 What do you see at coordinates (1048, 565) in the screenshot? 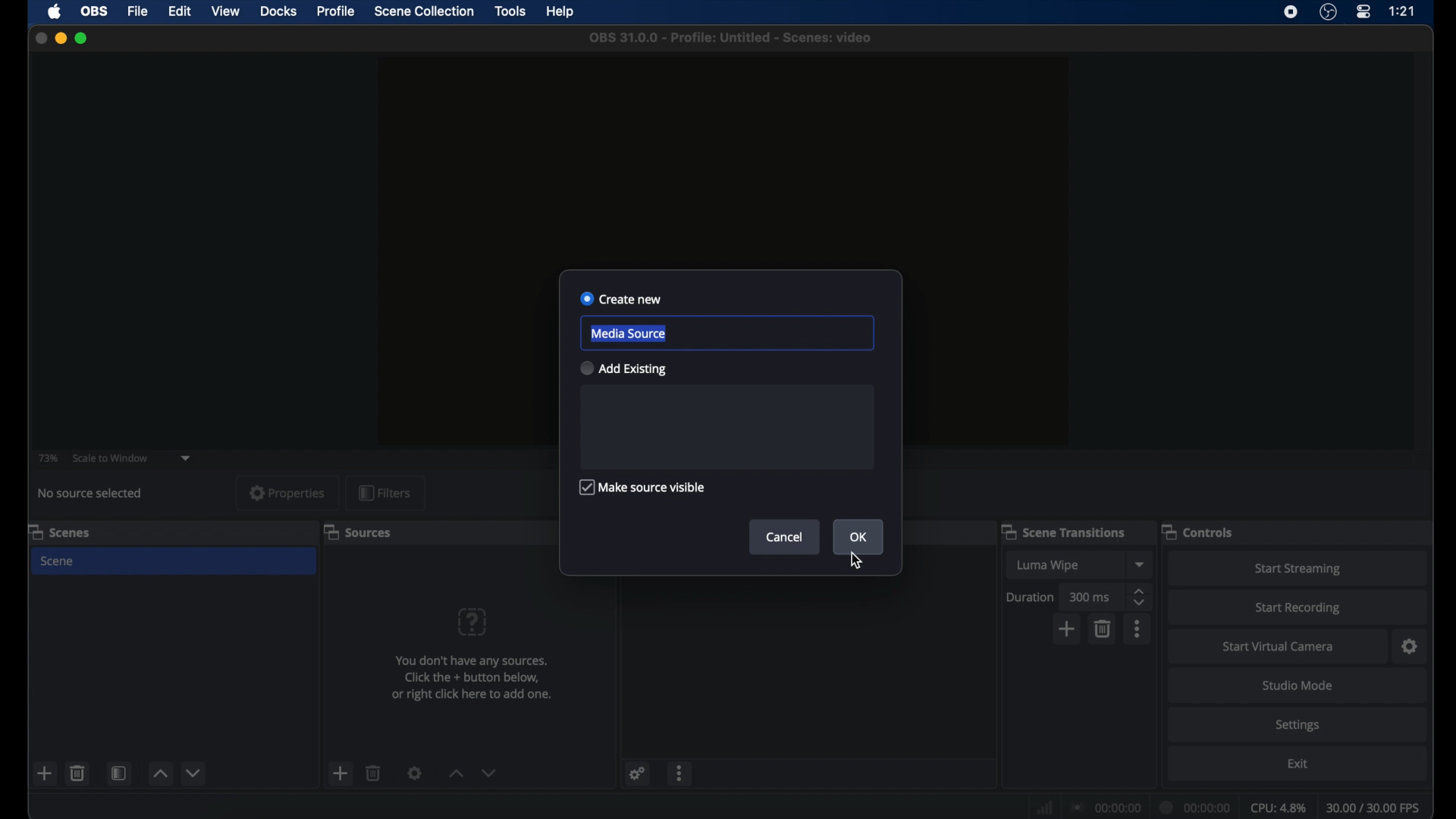
I see `luma wipe` at bounding box center [1048, 565].